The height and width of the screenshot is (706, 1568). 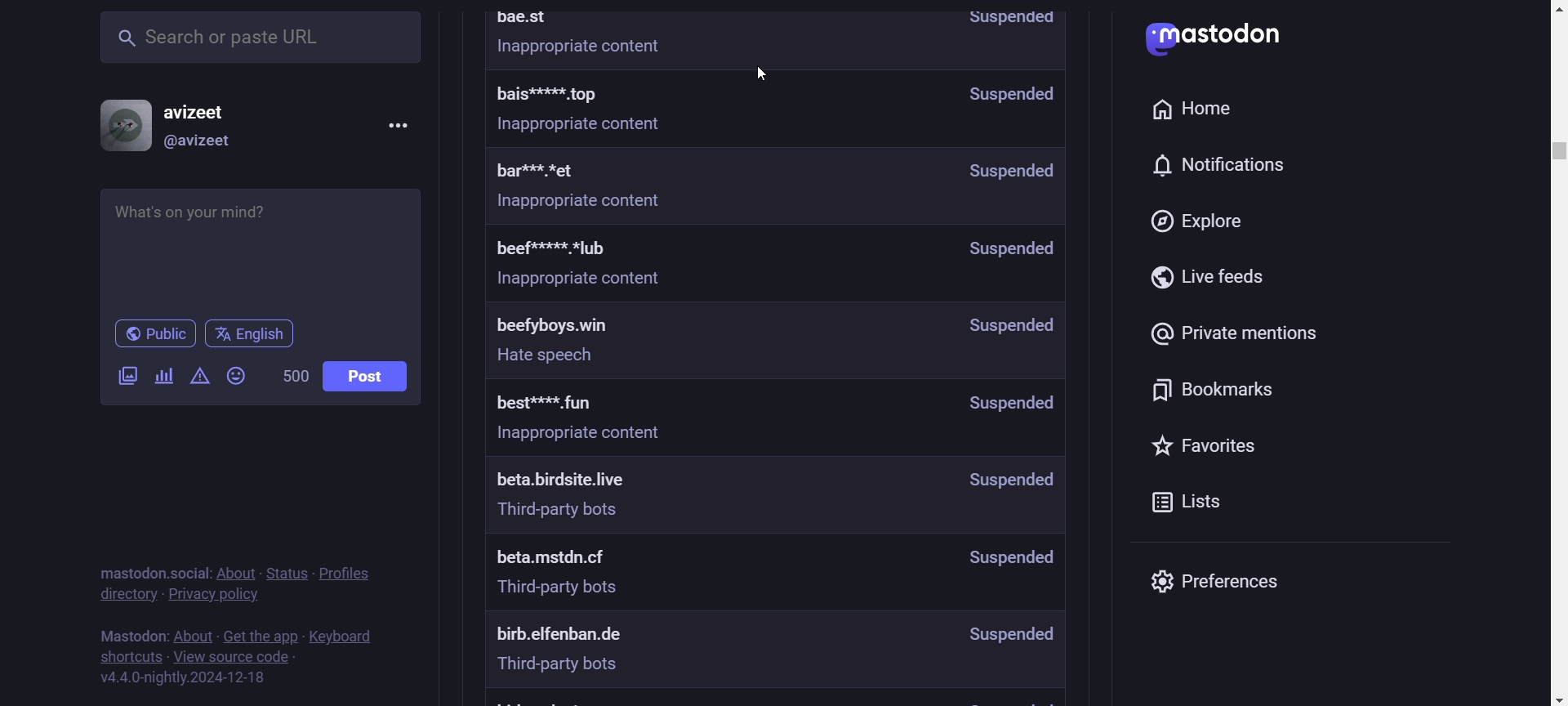 What do you see at coordinates (1232, 336) in the screenshot?
I see `private mentions` at bounding box center [1232, 336].